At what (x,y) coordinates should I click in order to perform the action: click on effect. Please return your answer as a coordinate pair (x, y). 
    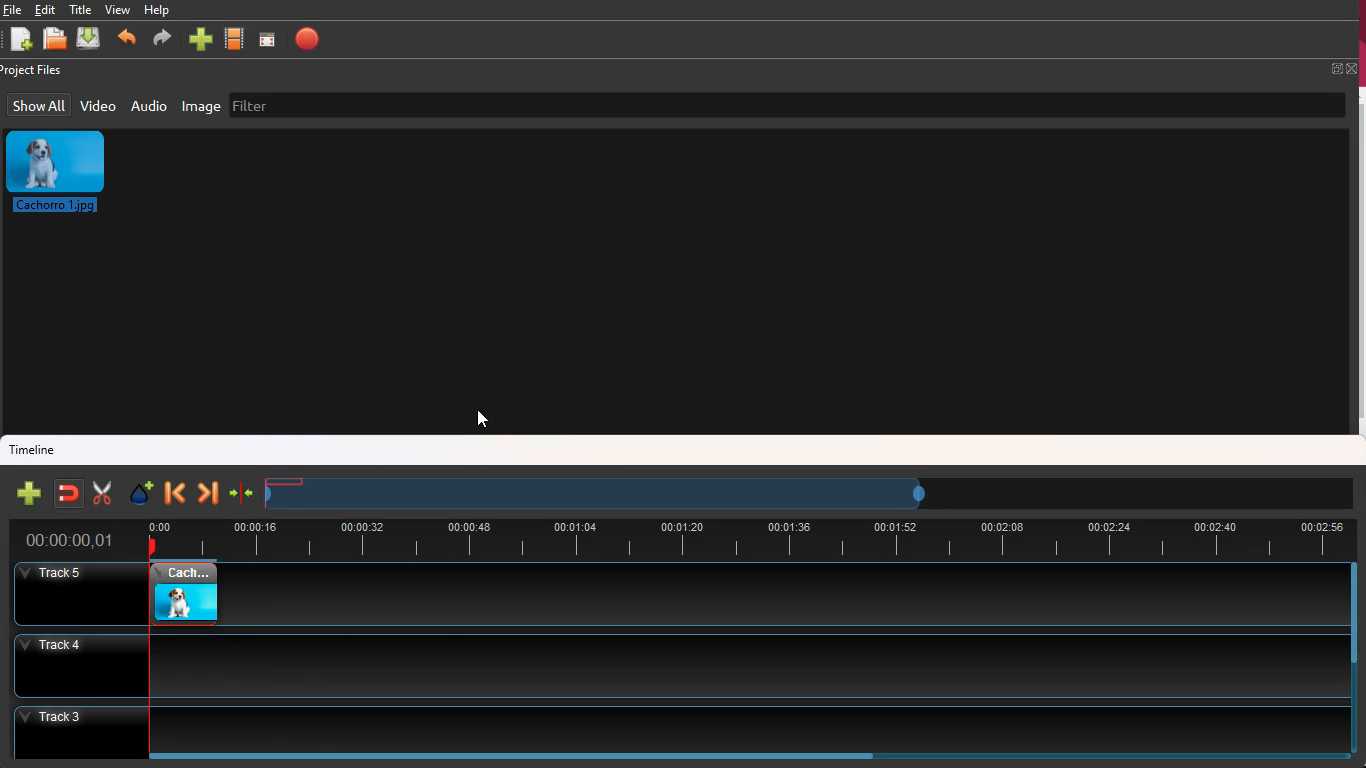
    Looking at the image, I should click on (140, 492).